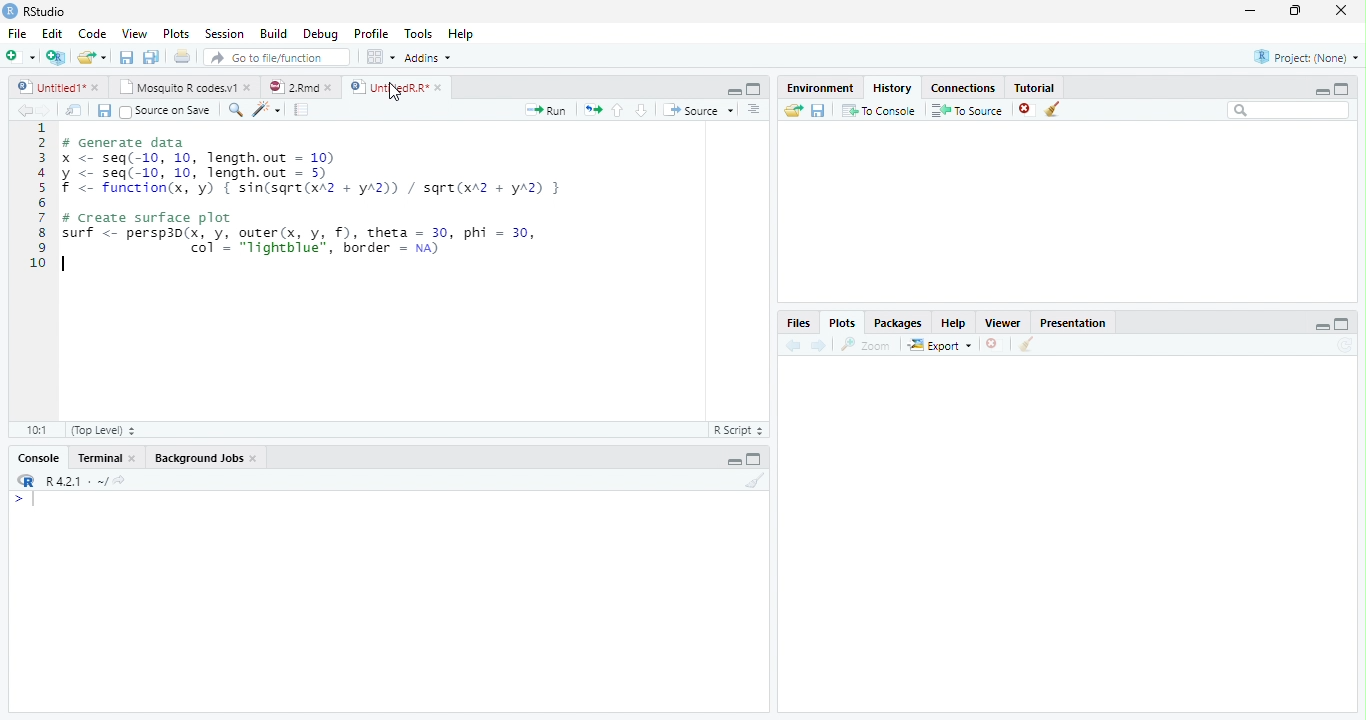  I want to click on Packages, so click(898, 322).